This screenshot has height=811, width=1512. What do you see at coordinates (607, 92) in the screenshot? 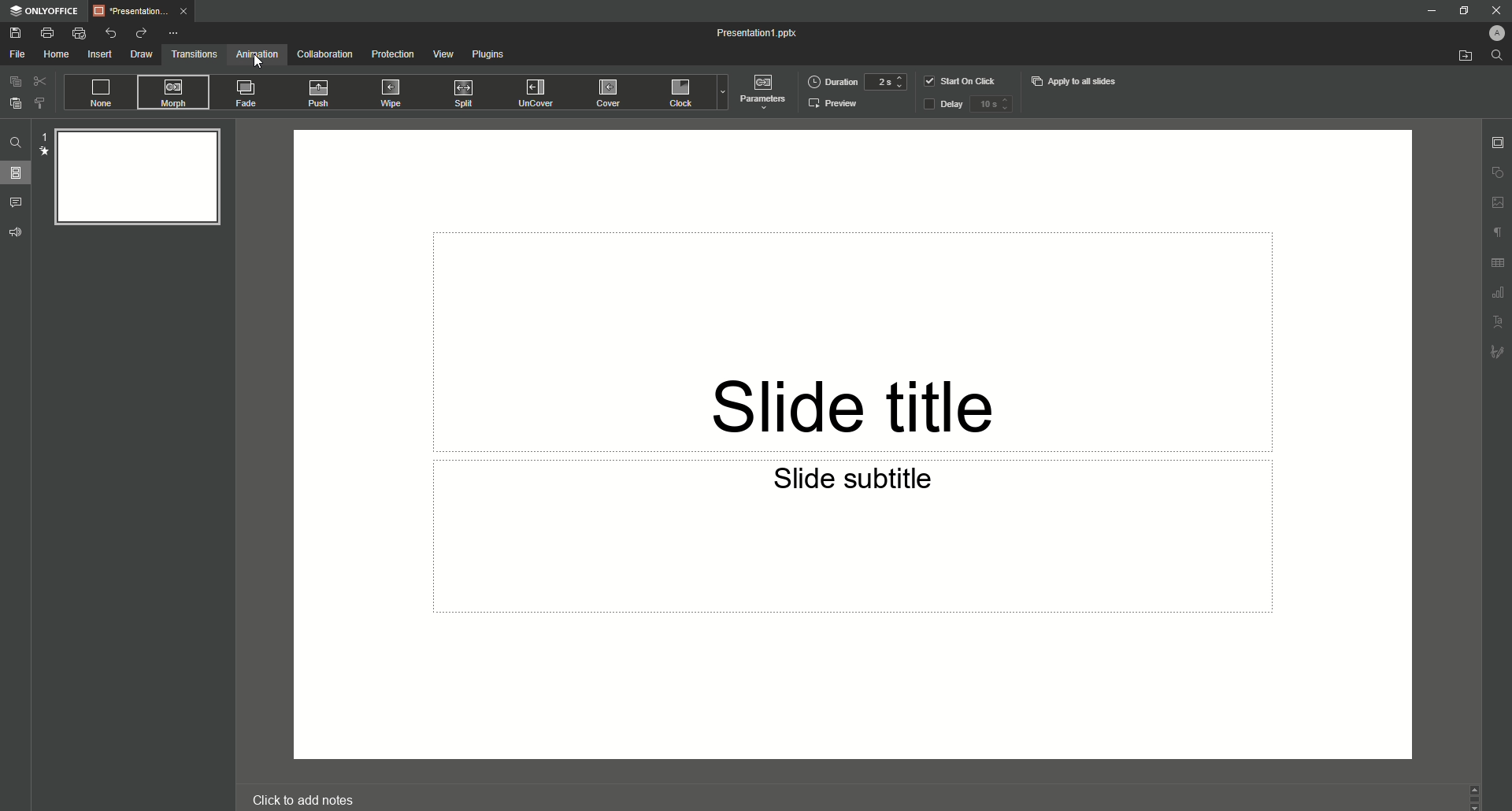
I see `Cover` at bounding box center [607, 92].